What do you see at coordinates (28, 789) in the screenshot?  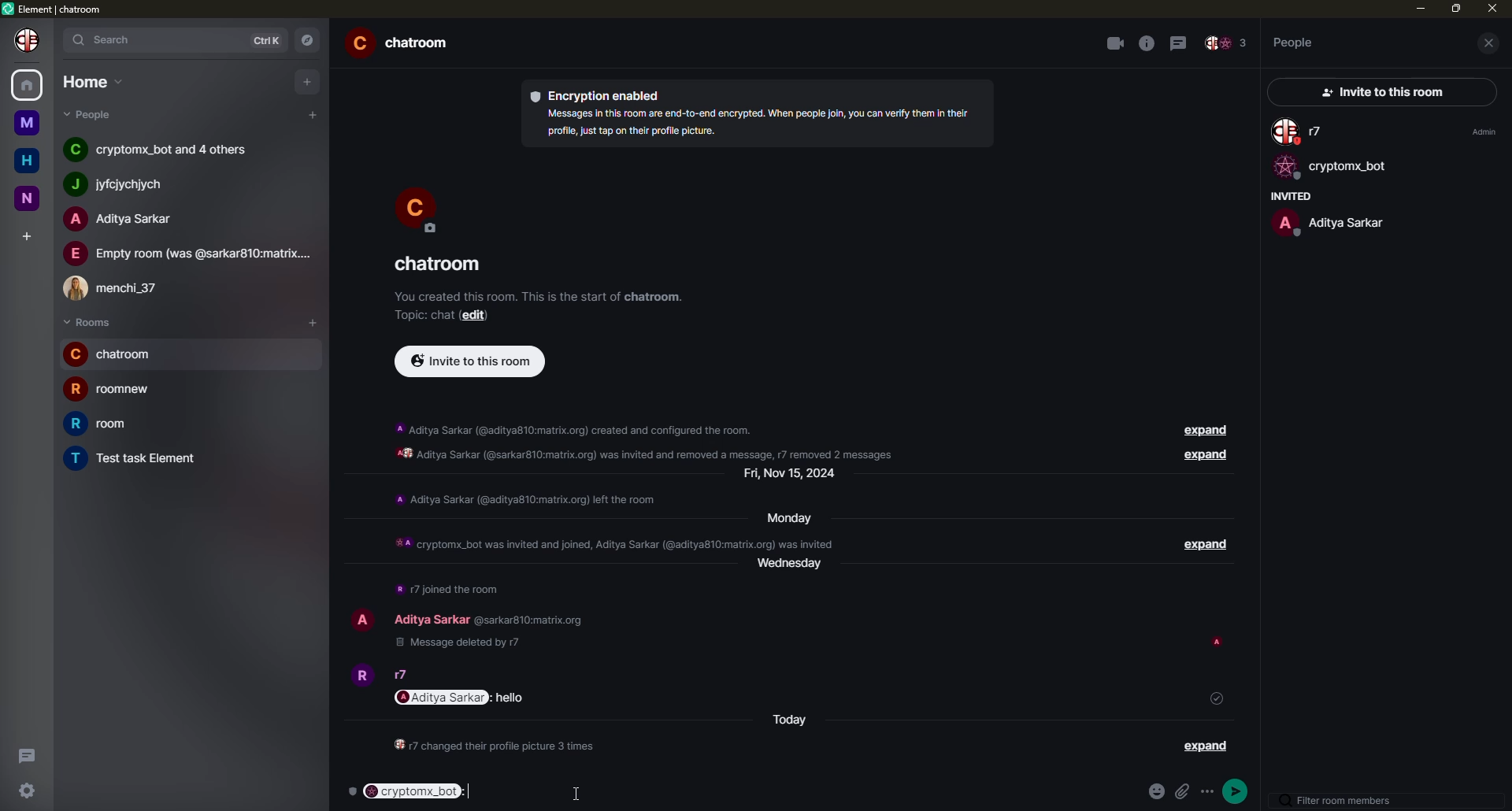 I see `settings` at bounding box center [28, 789].